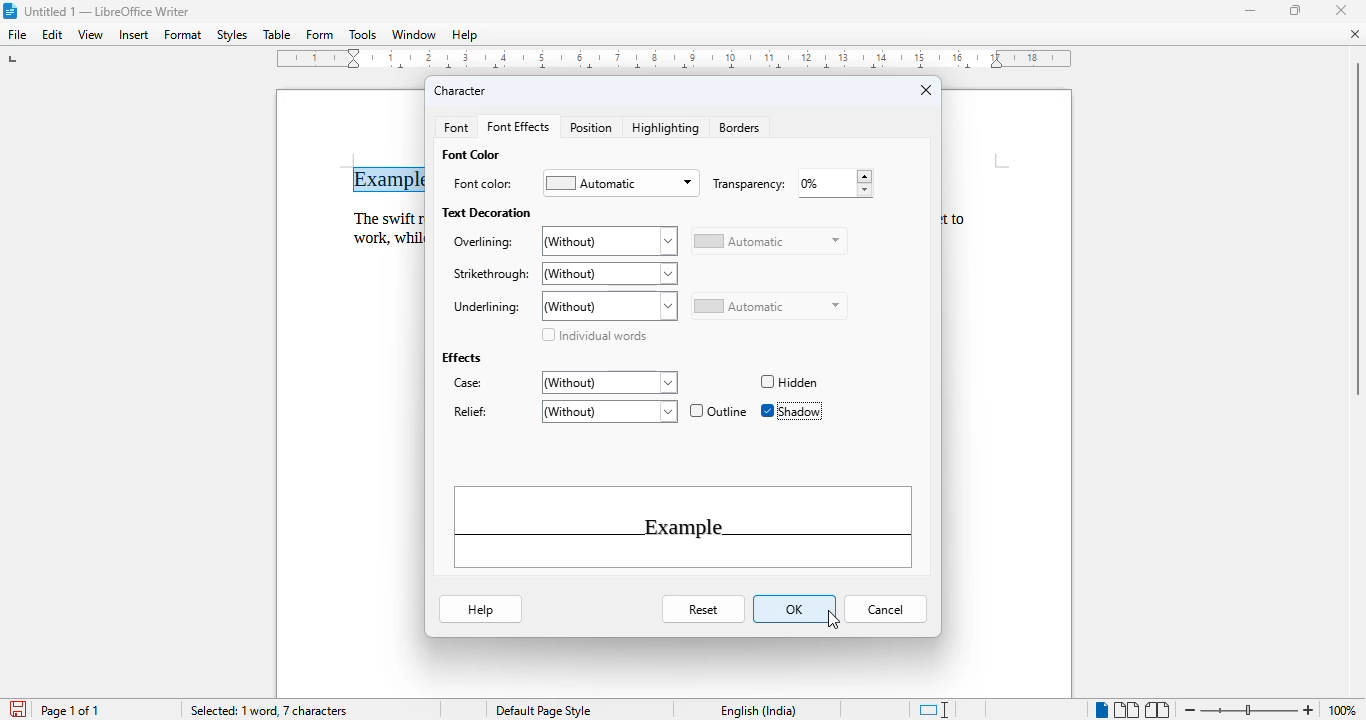  What do you see at coordinates (470, 154) in the screenshot?
I see `font color` at bounding box center [470, 154].